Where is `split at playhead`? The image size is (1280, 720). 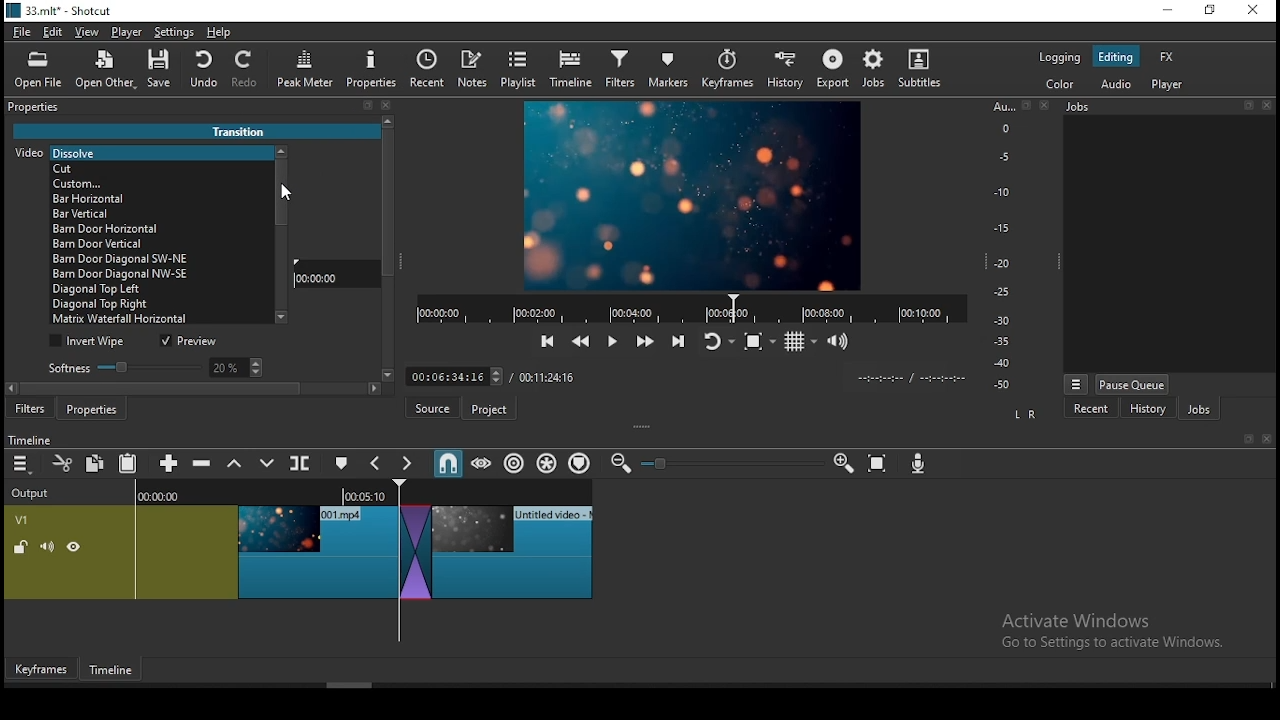 split at playhead is located at coordinates (433, 71).